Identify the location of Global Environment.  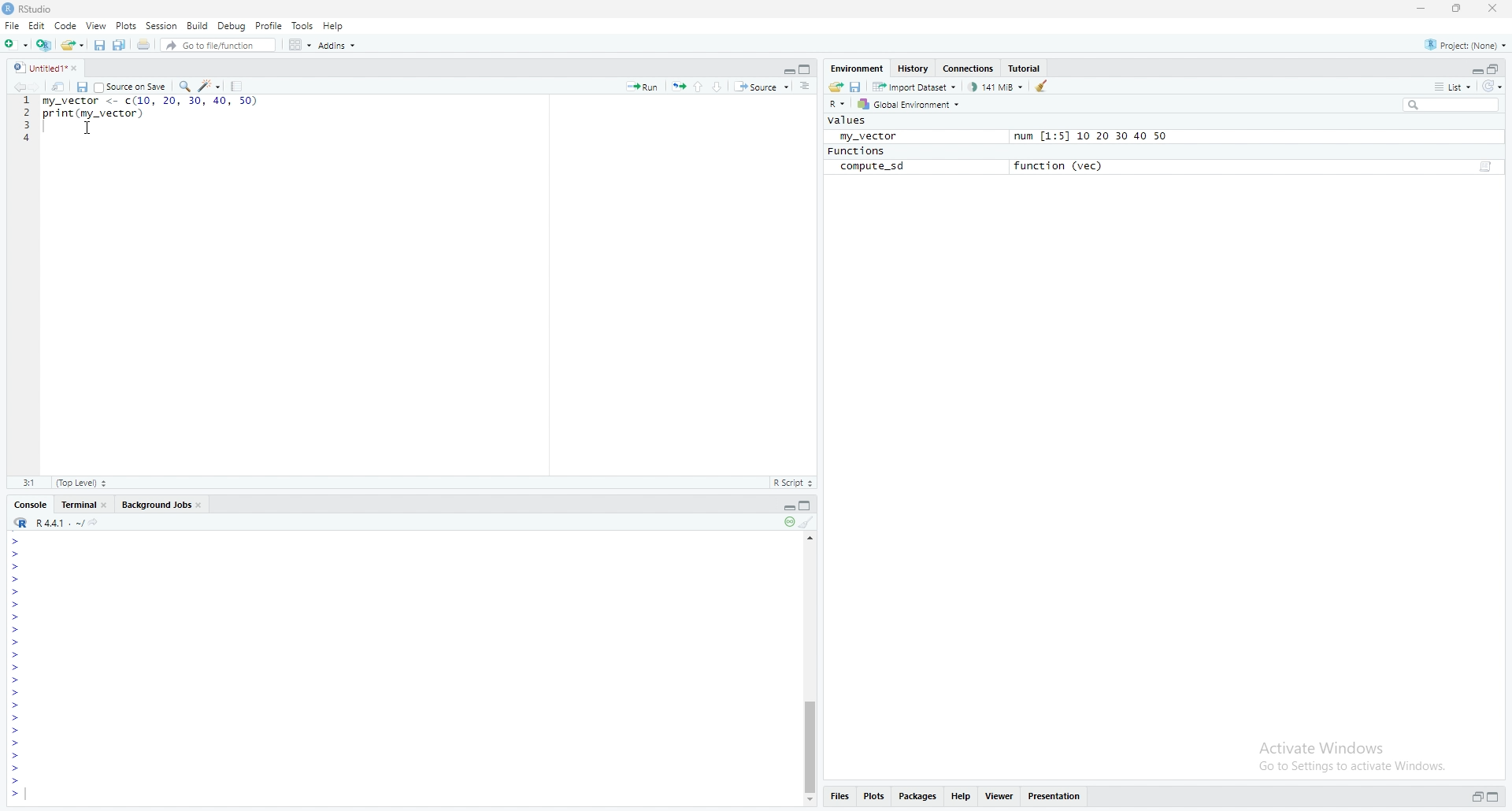
(909, 105).